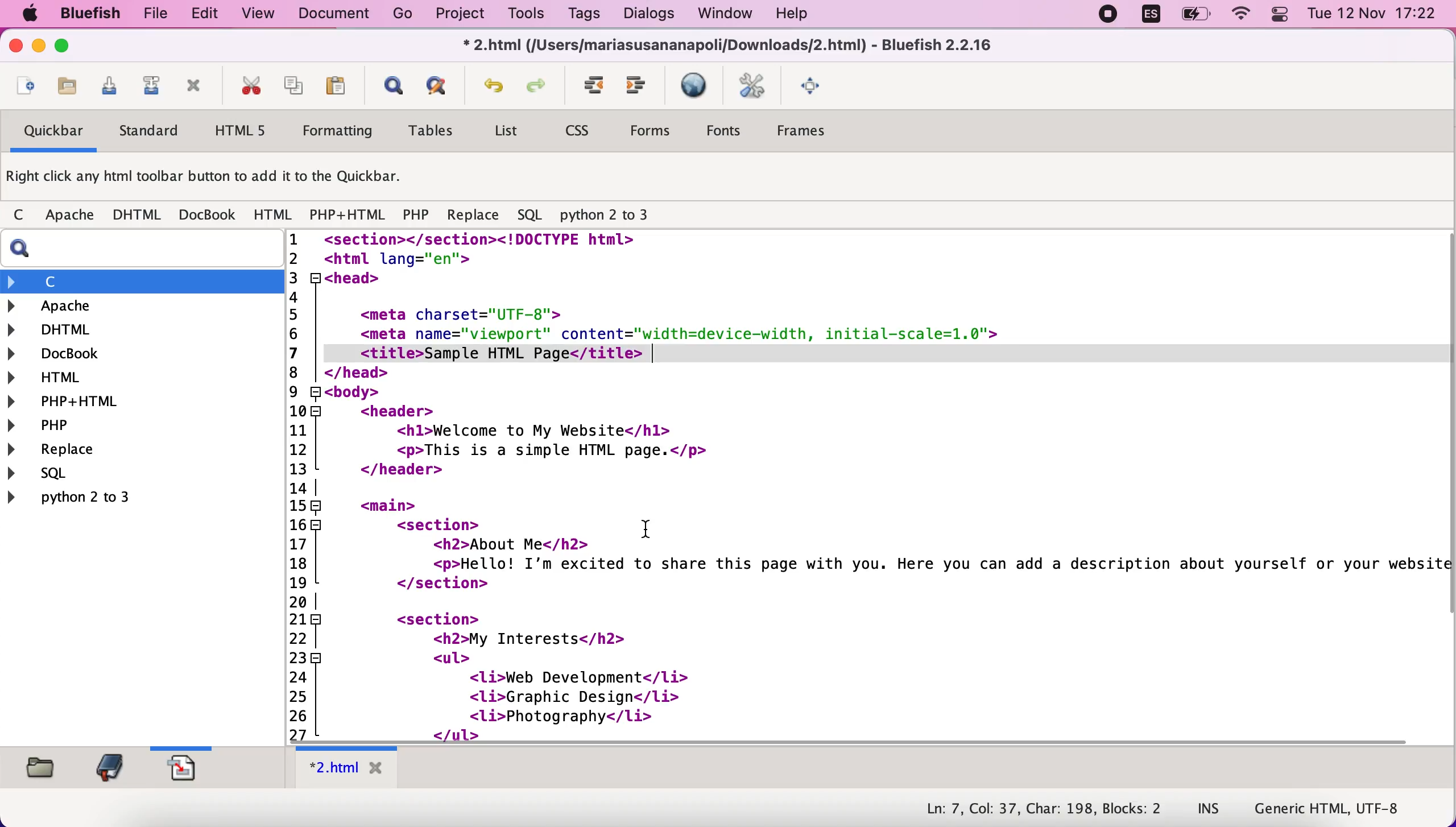 The width and height of the screenshot is (1456, 827). I want to click on save file as, so click(154, 86).